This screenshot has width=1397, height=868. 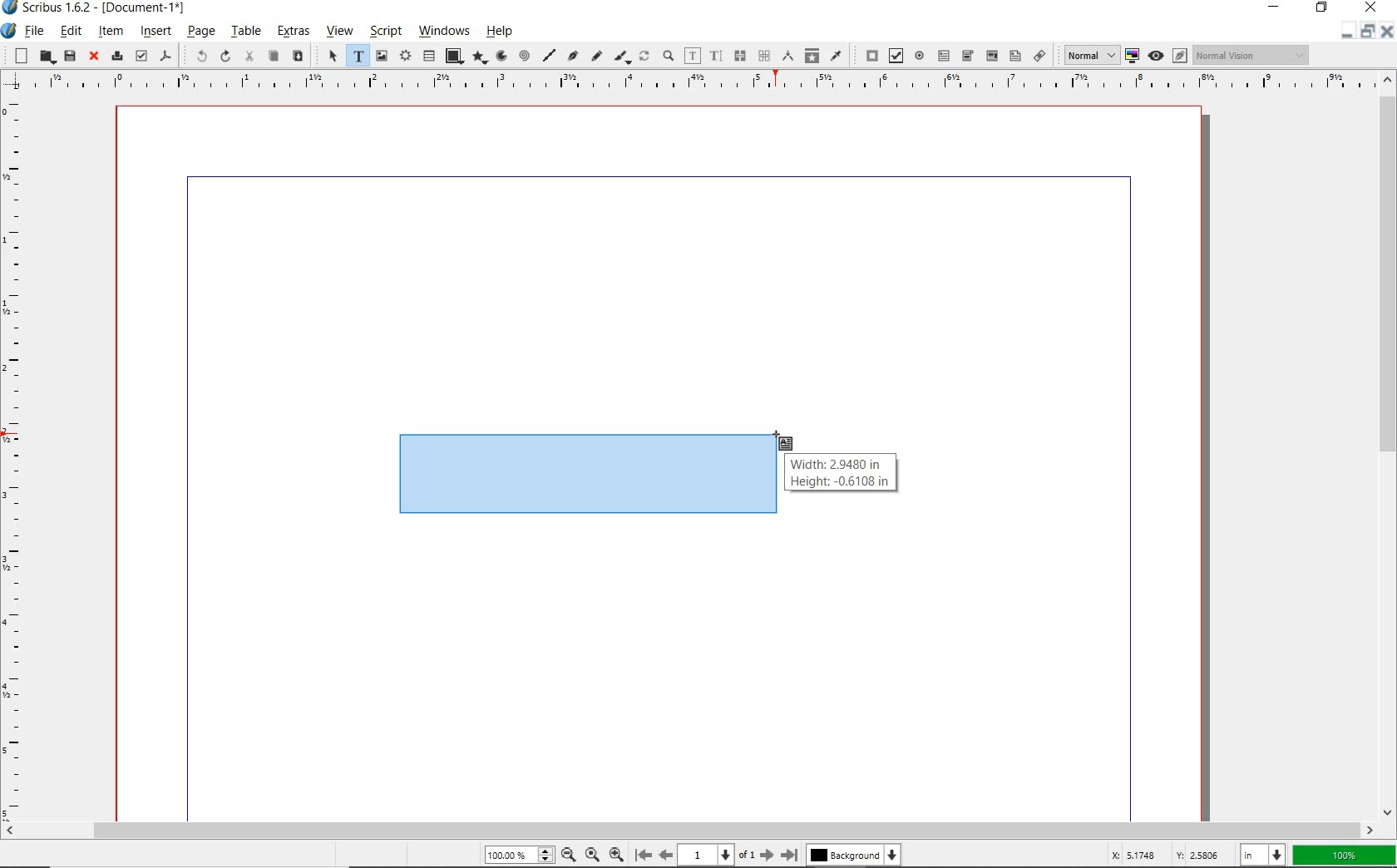 What do you see at coordinates (1277, 8) in the screenshot?
I see `minimize` at bounding box center [1277, 8].